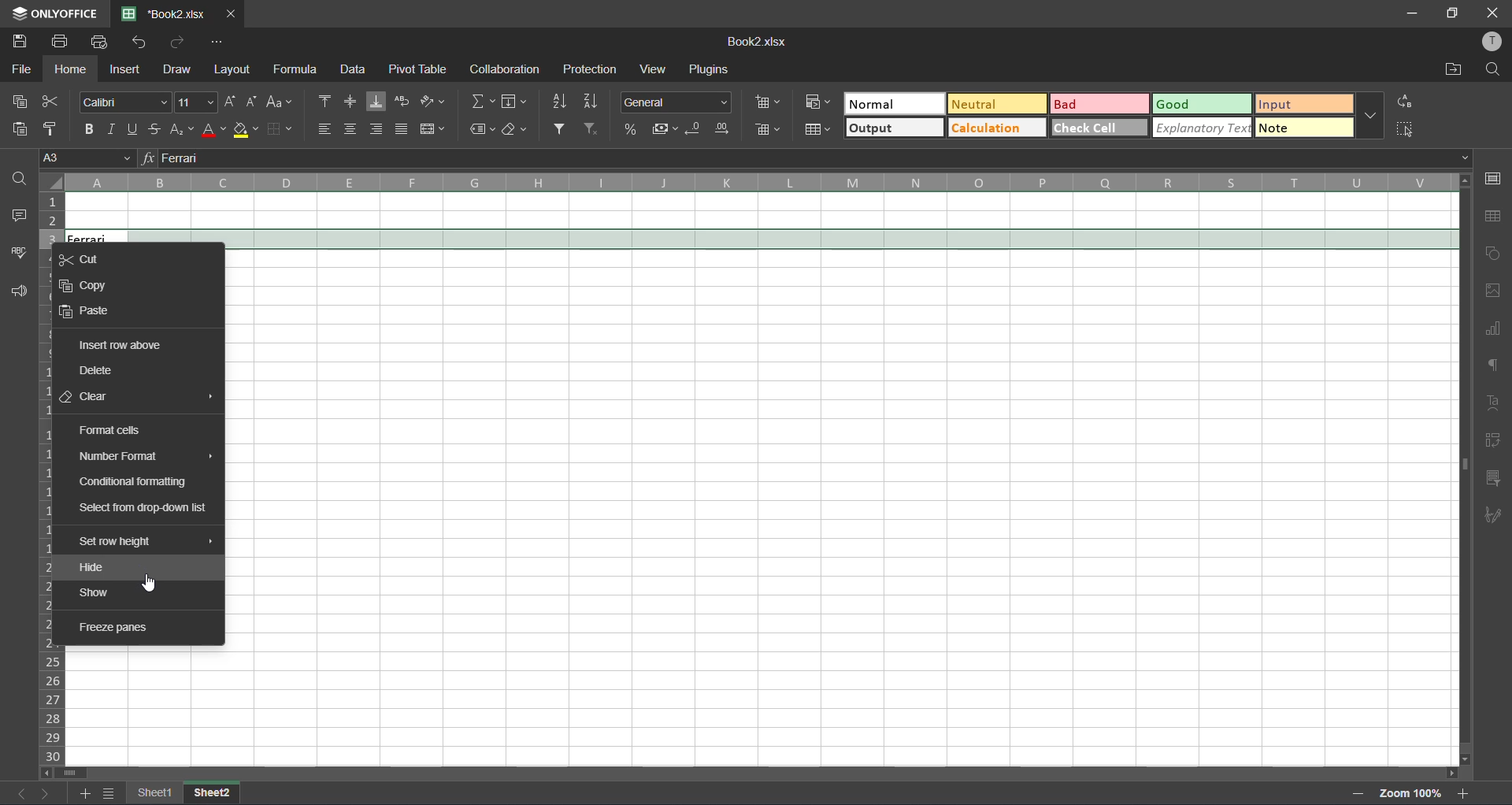 Image resolution: width=1512 pixels, height=805 pixels. I want to click on accounting, so click(664, 127).